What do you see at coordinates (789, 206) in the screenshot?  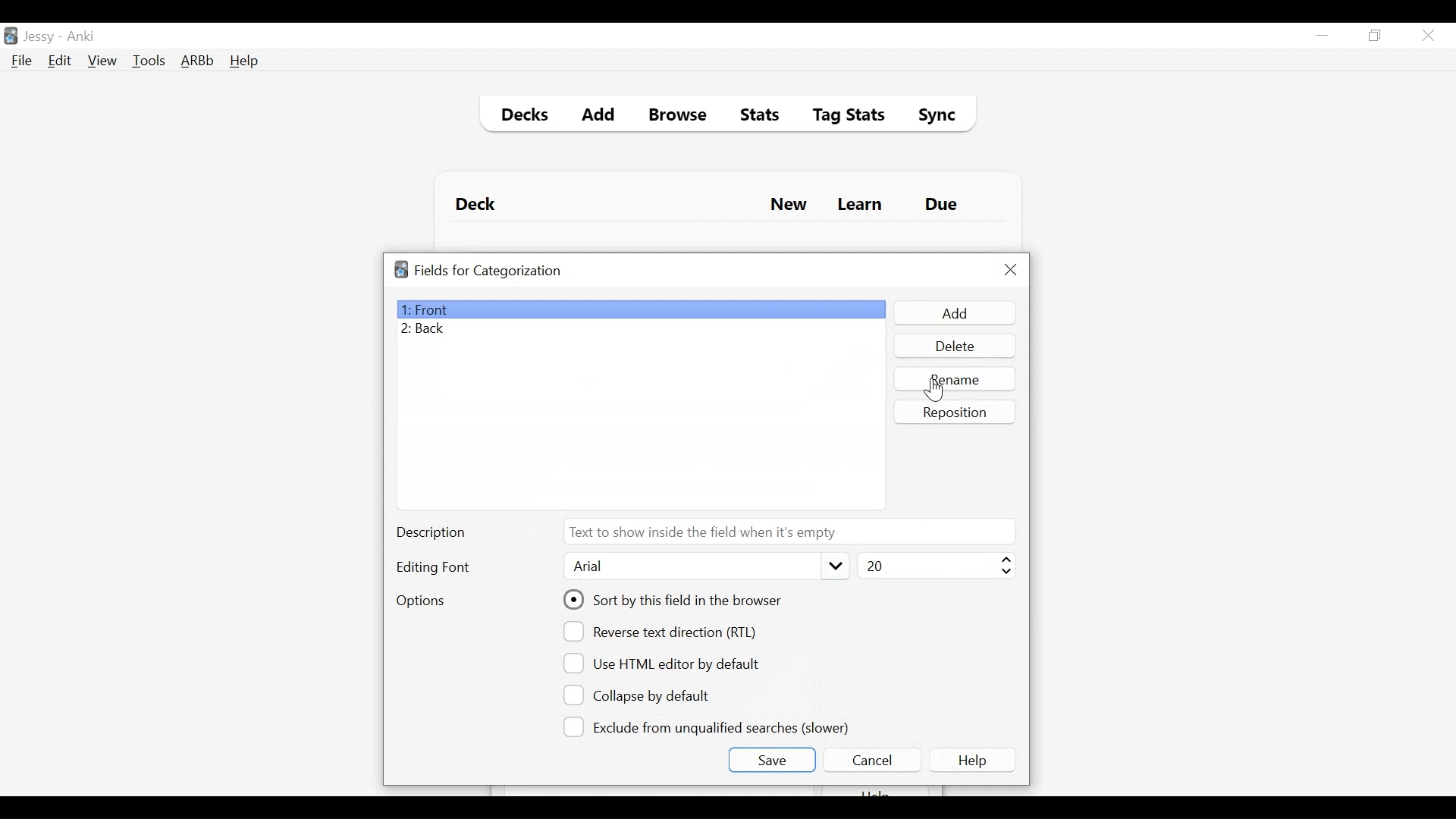 I see `New` at bounding box center [789, 206].